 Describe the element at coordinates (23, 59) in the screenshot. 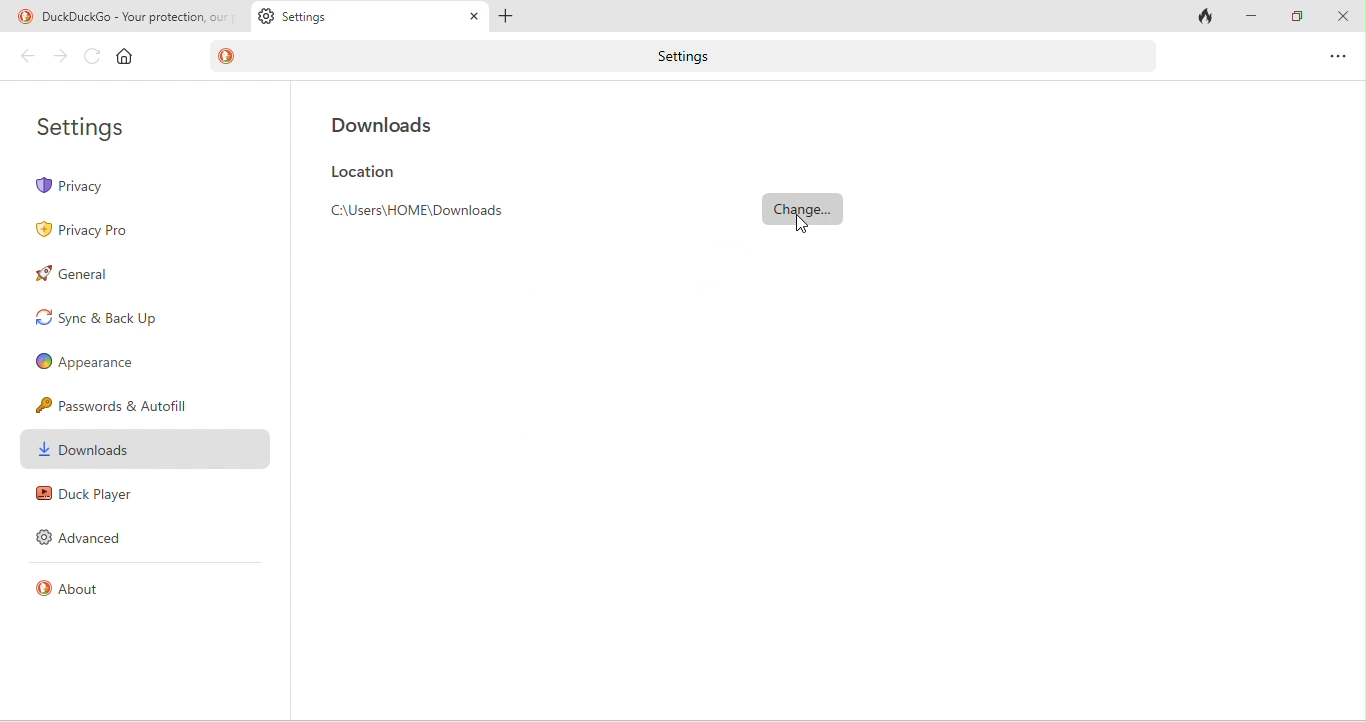

I see `back` at that location.